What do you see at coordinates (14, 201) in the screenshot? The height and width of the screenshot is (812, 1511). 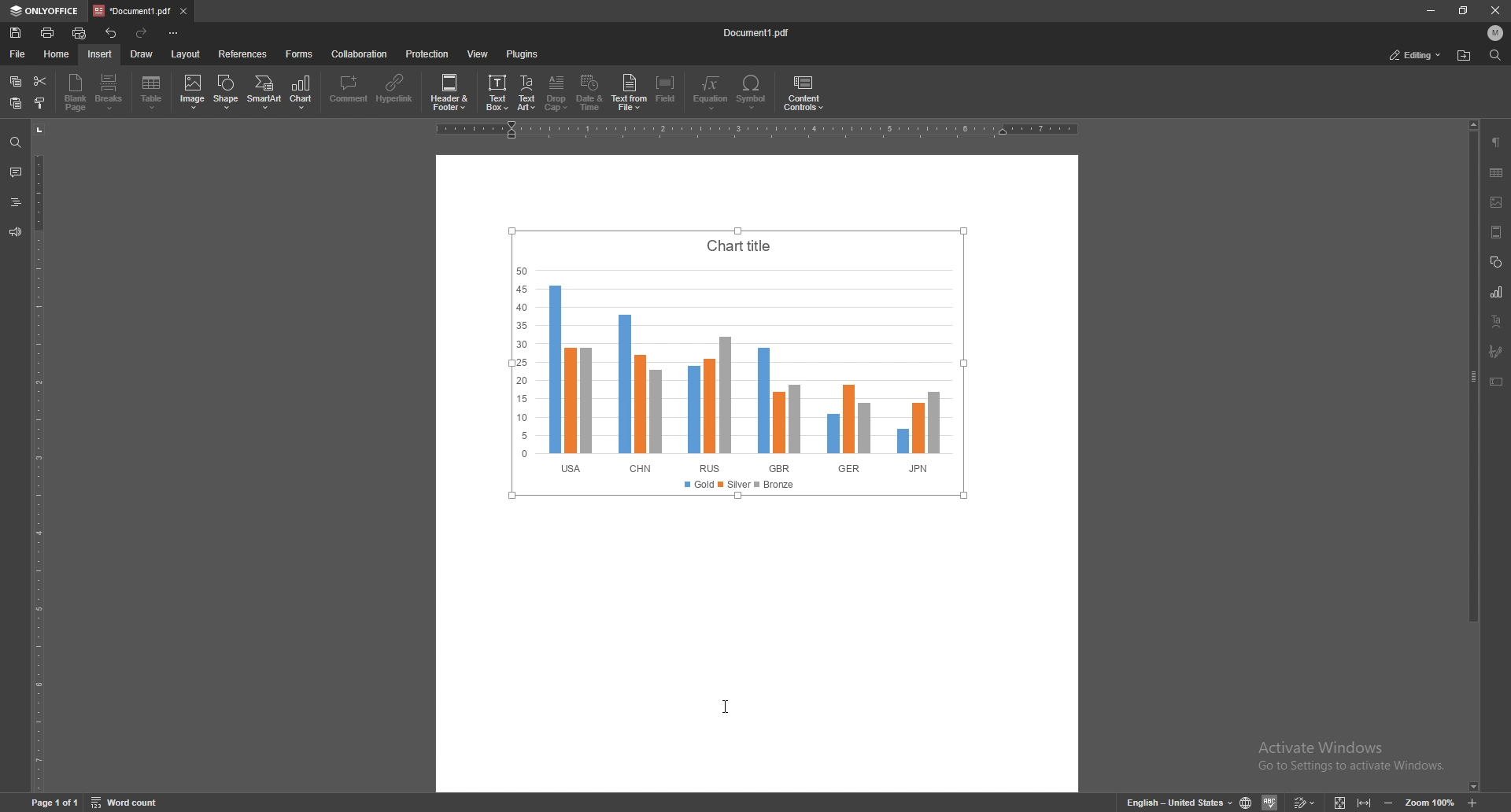 I see `headers` at bounding box center [14, 201].